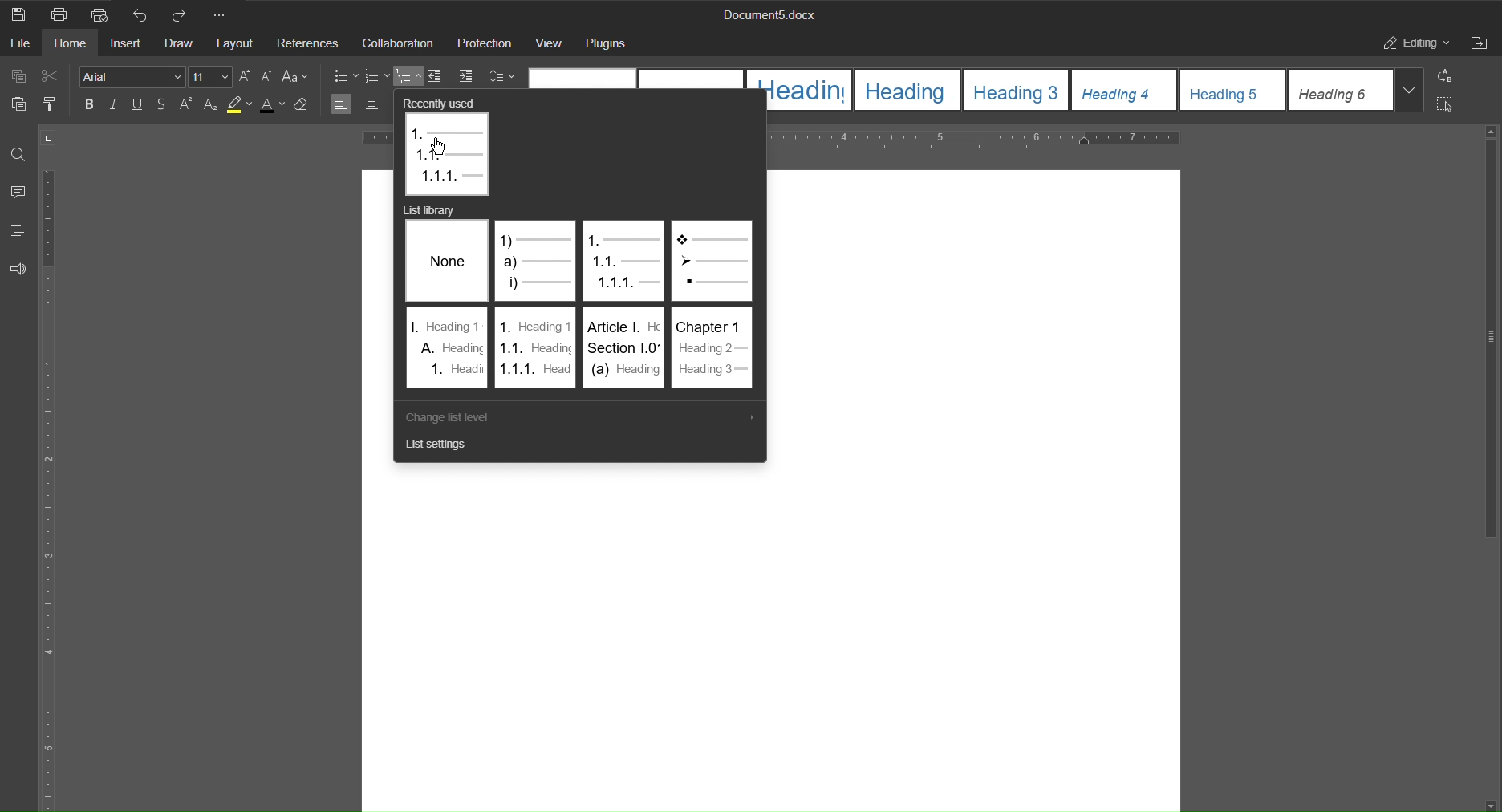 Image resolution: width=1502 pixels, height=812 pixels. Describe the element at coordinates (298, 76) in the screenshot. I see `Select case` at that location.